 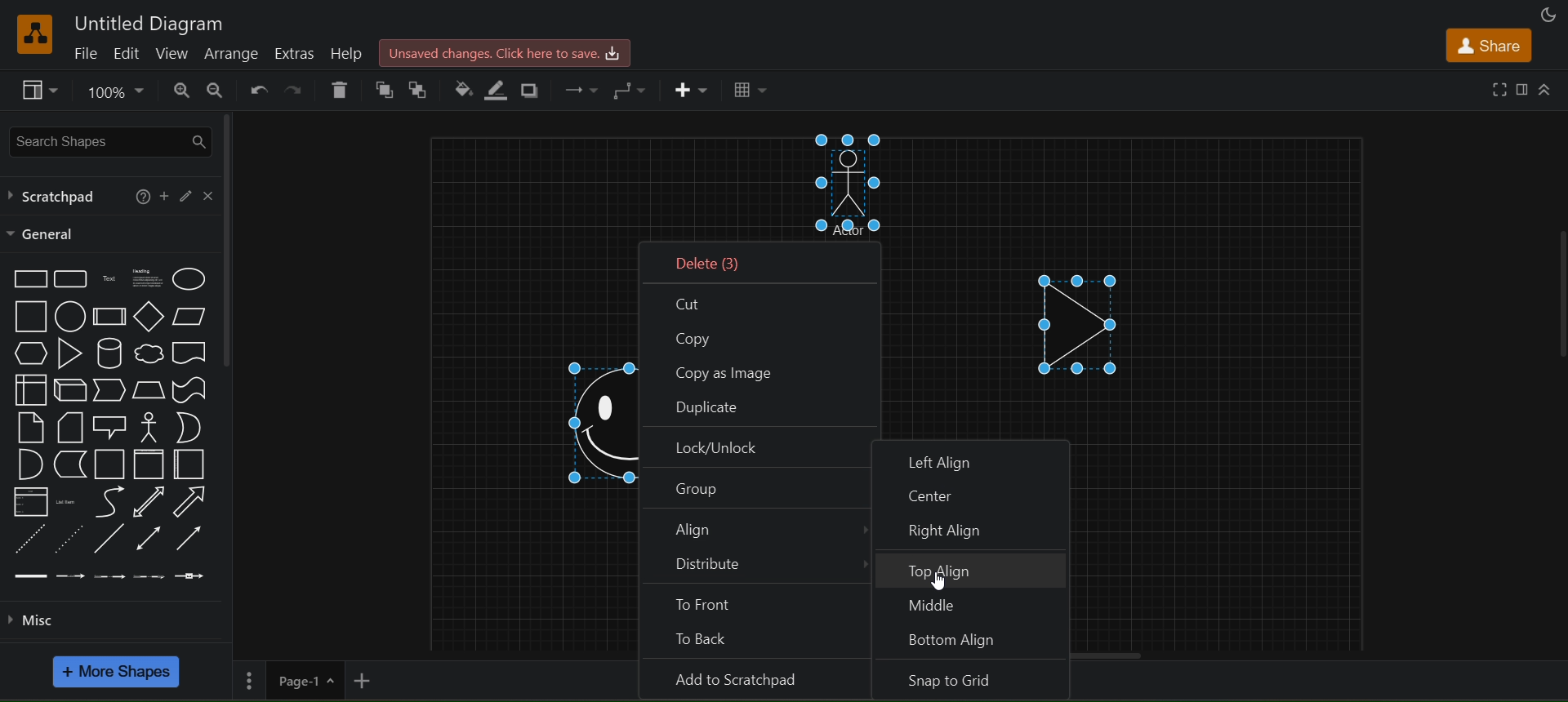 I want to click on arrange, so click(x=231, y=52).